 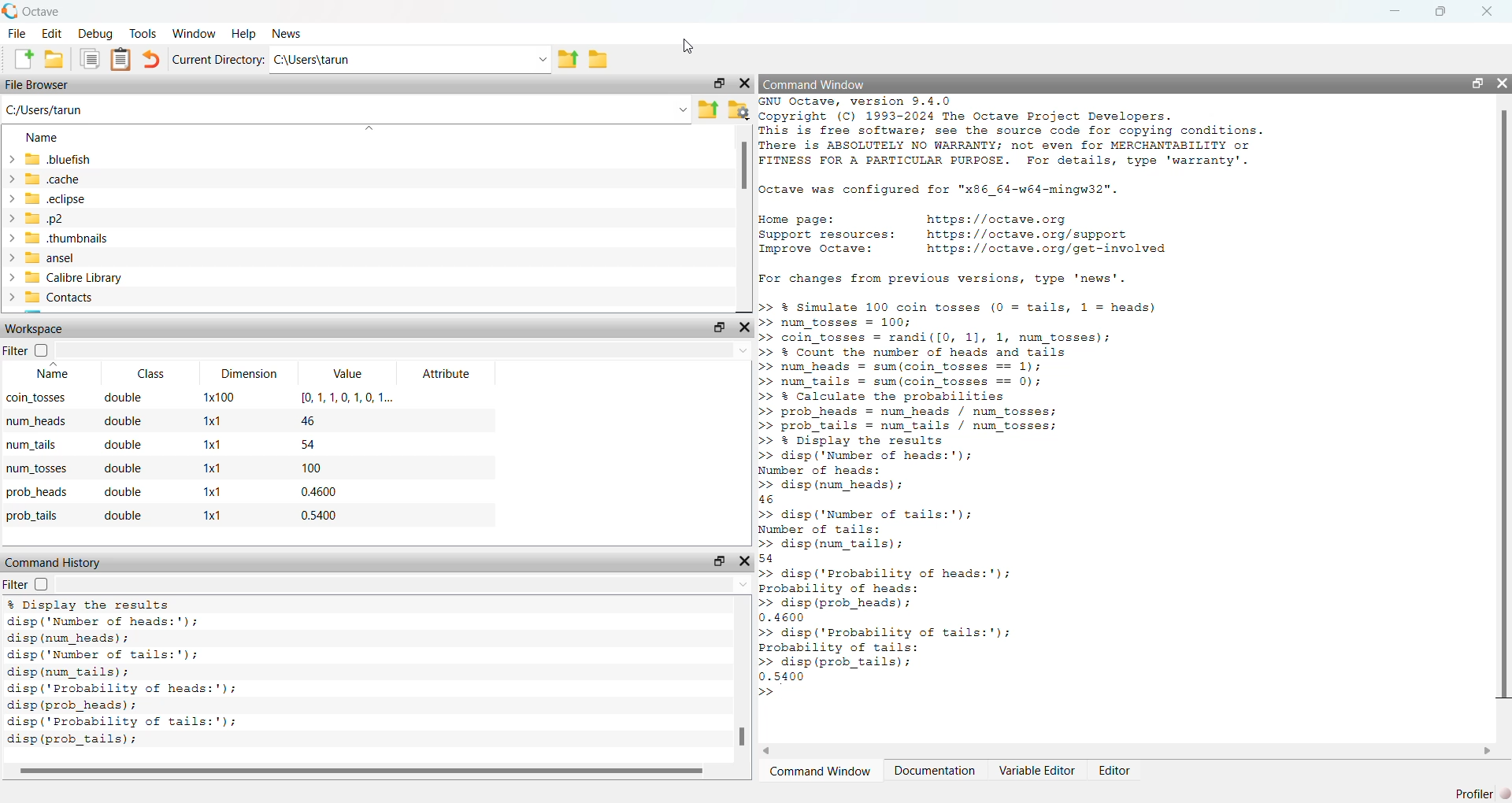 What do you see at coordinates (718, 327) in the screenshot?
I see `maximize` at bounding box center [718, 327].